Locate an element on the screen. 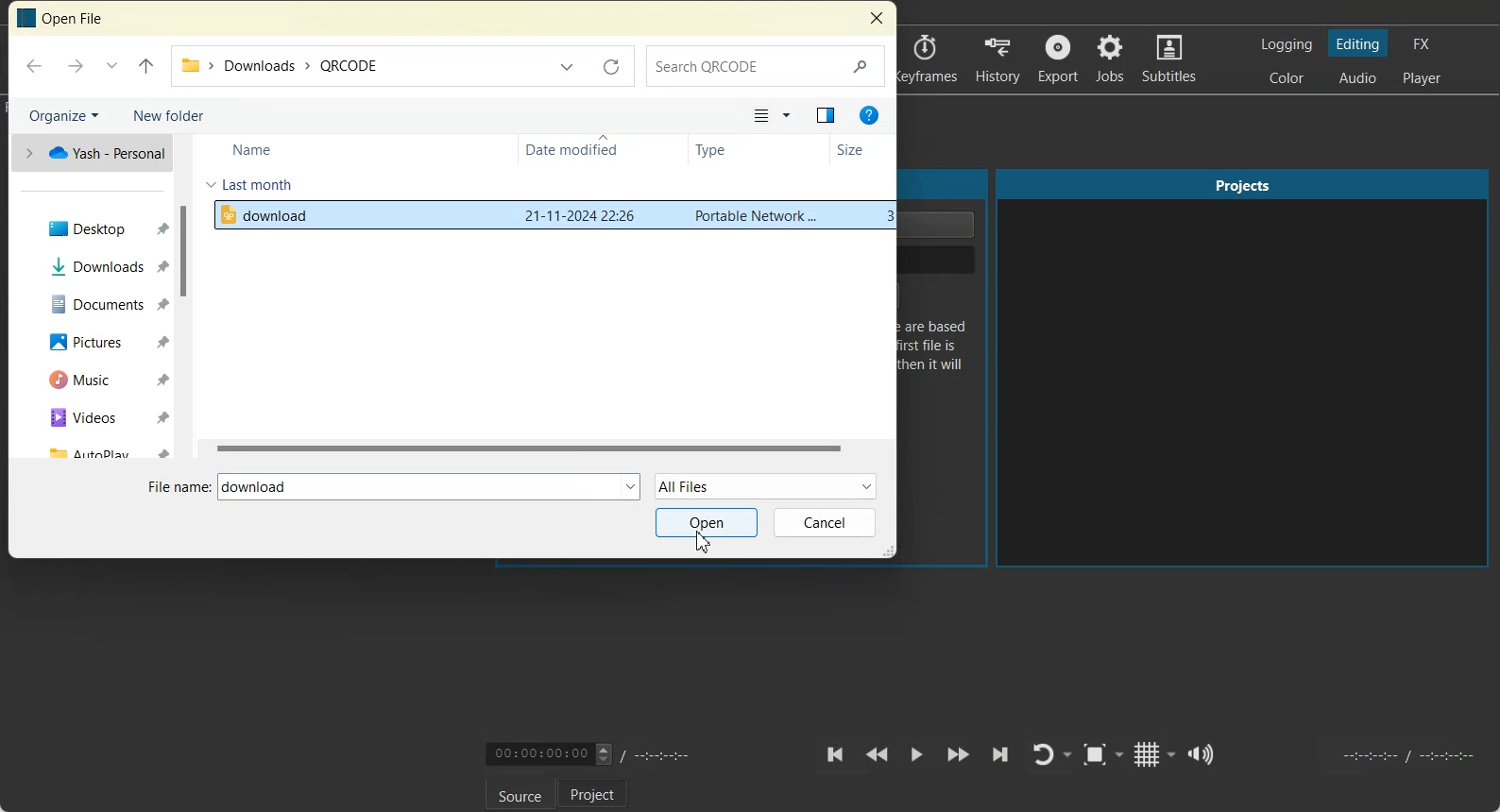 The height and width of the screenshot is (812, 1500). Subtitles is located at coordinates (1171, 59).